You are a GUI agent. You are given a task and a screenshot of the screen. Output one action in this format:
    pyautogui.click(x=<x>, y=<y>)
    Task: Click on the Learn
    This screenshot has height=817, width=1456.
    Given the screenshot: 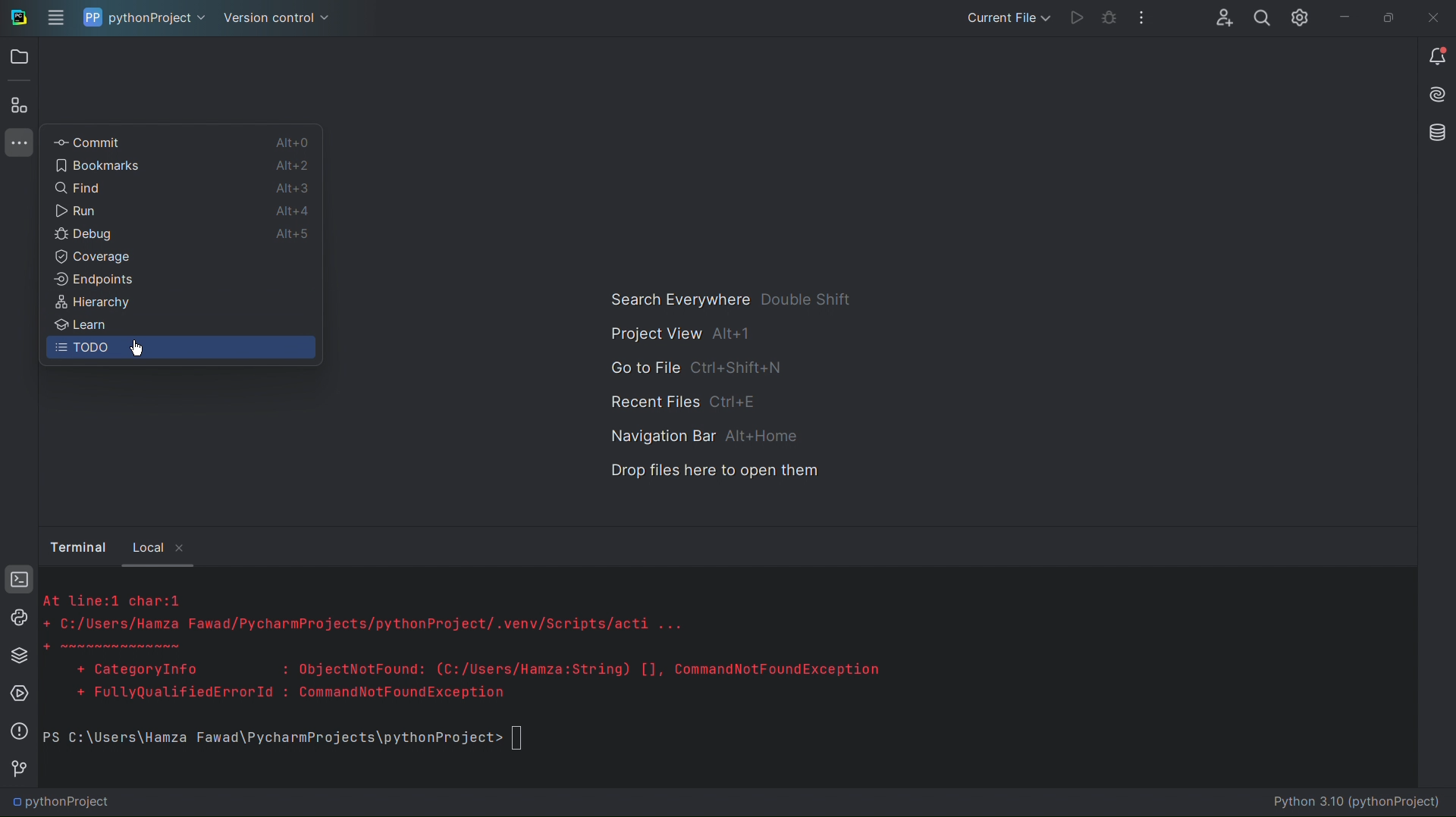 What is the action you would take?
    pyautogui.click(x=79, y=324)
    